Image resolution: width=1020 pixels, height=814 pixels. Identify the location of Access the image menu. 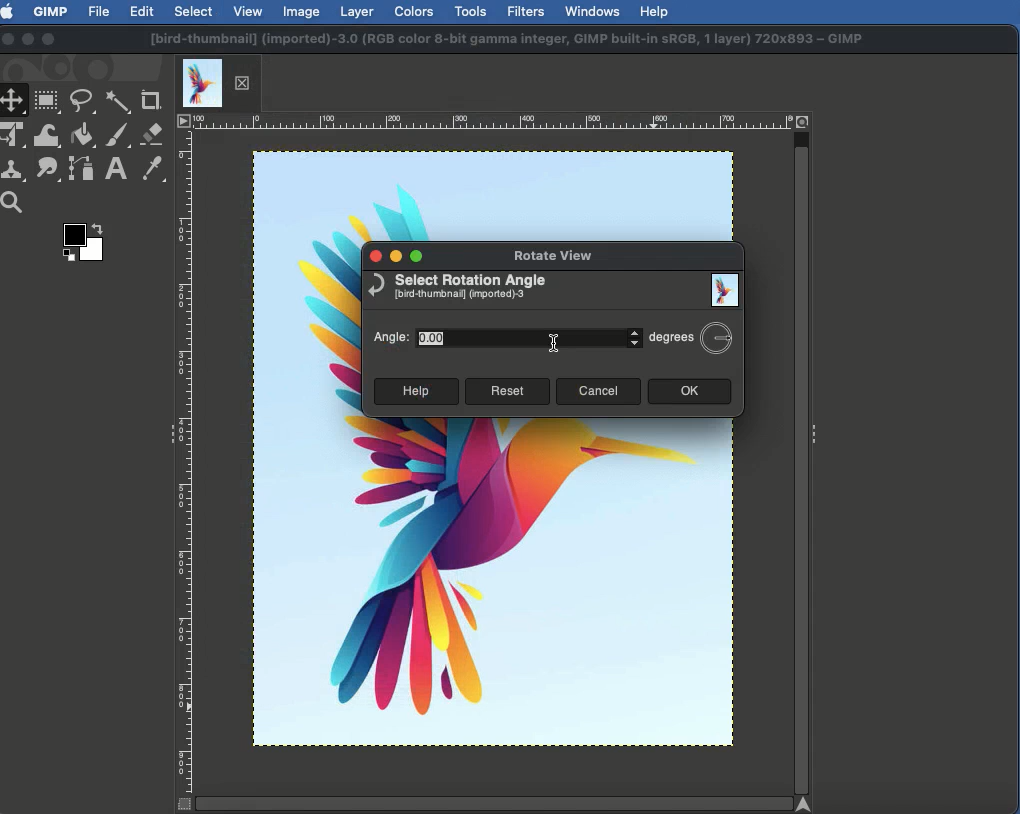
(184, 122).